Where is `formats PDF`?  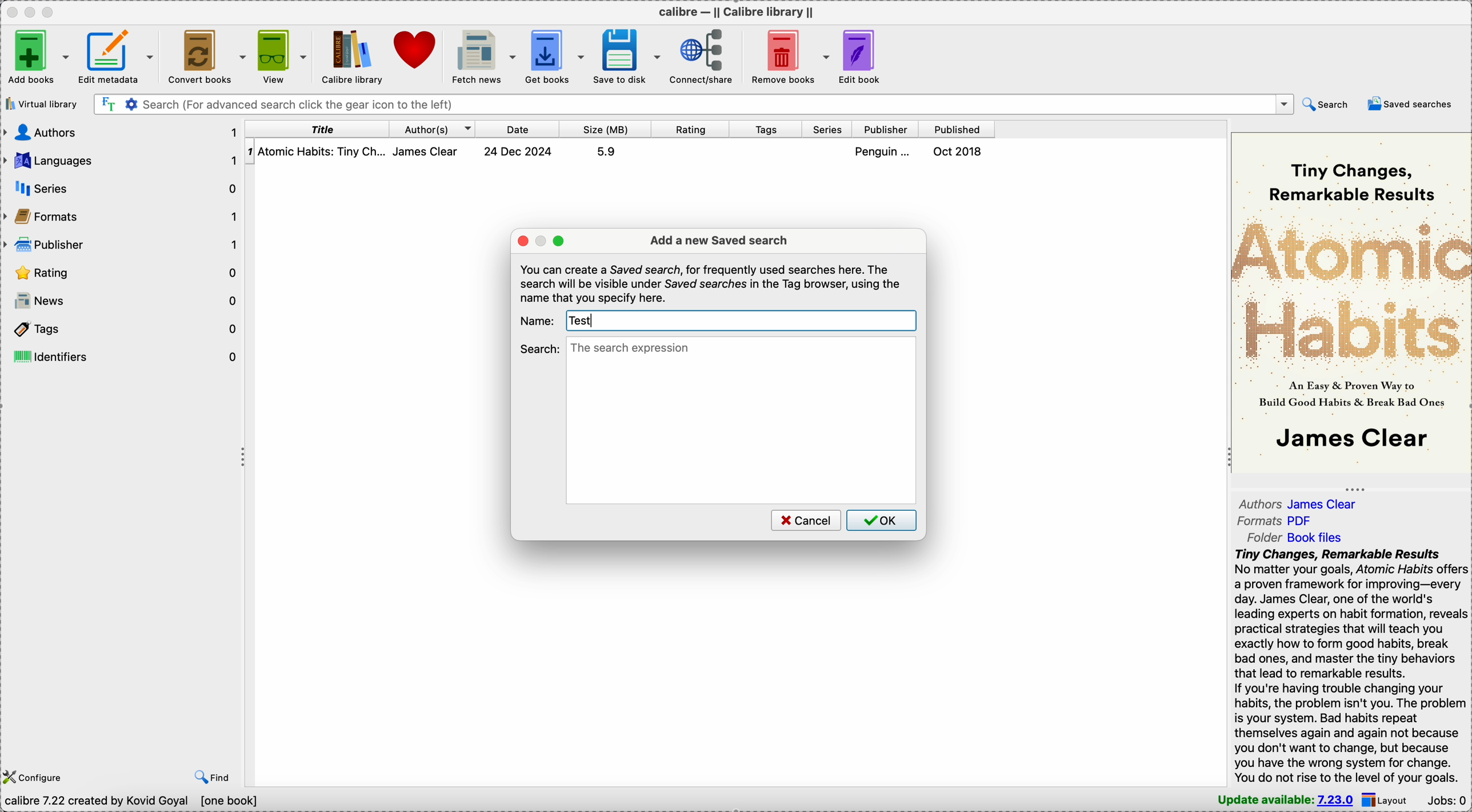 formats PDF is located at coordinates (1275, 522).